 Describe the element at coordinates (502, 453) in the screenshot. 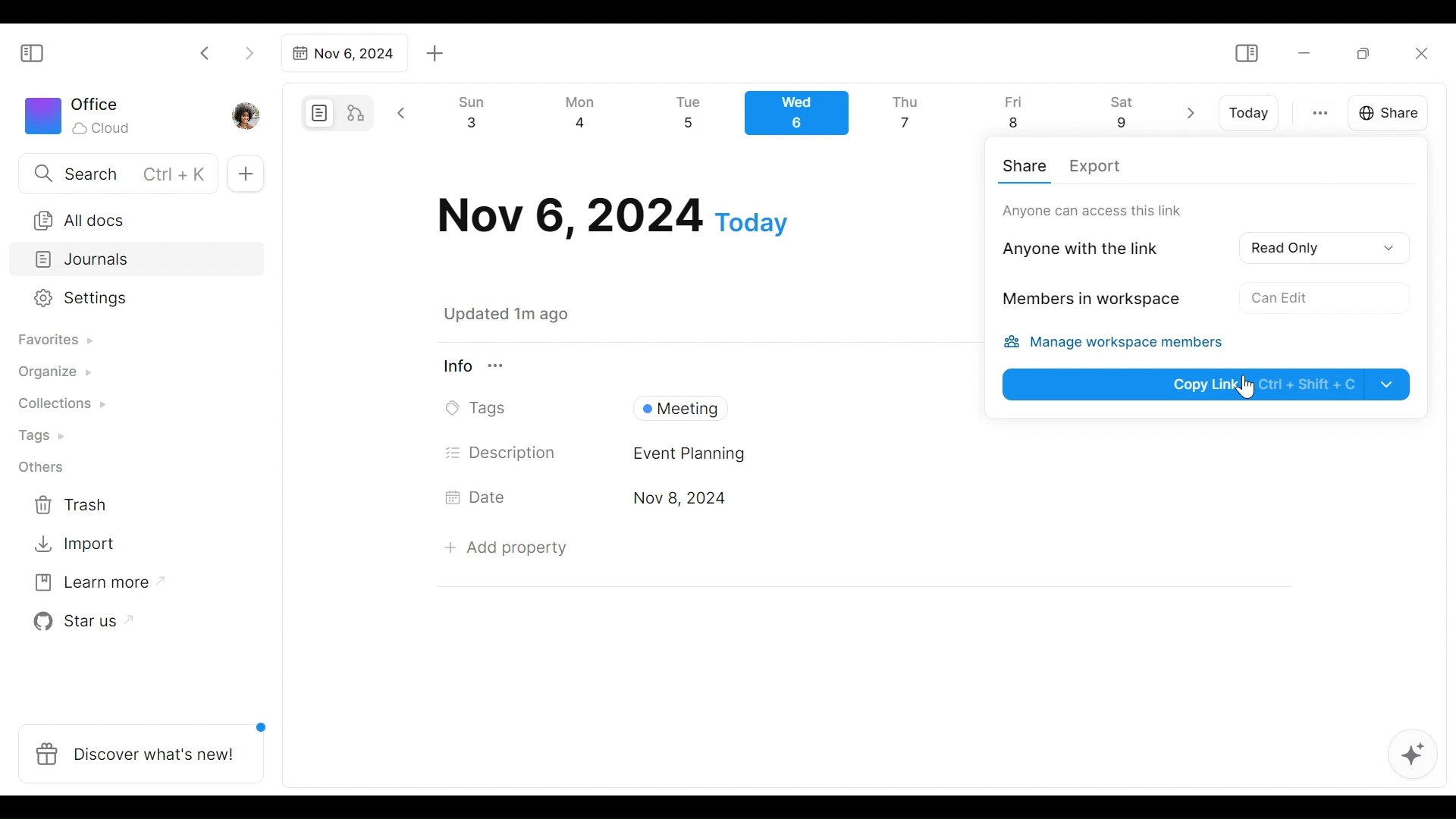

I see `Description` at that location.